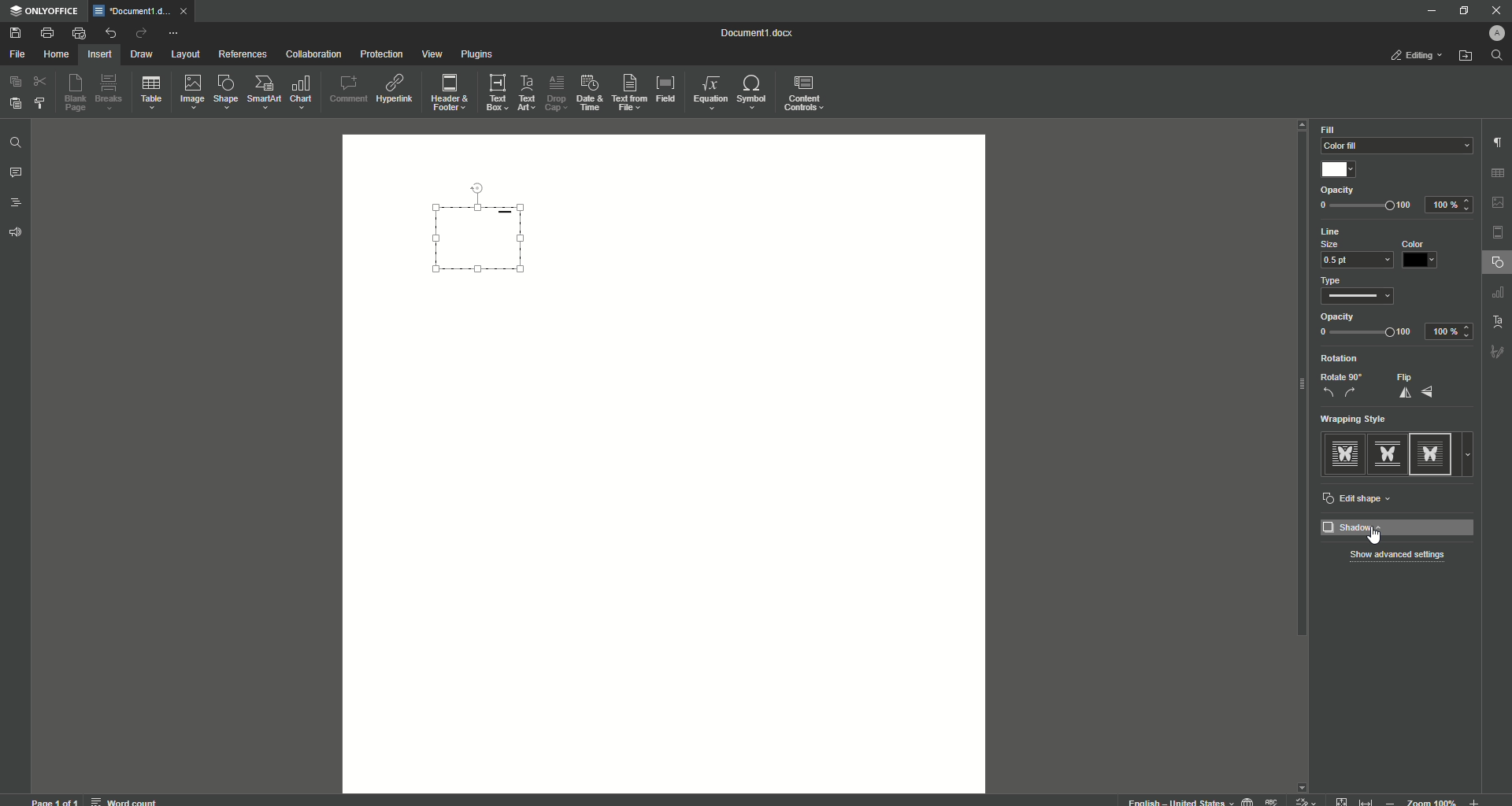 The width and height of the screenshot is (1512, 806). I want to click on Breaks, so click(109, 93).